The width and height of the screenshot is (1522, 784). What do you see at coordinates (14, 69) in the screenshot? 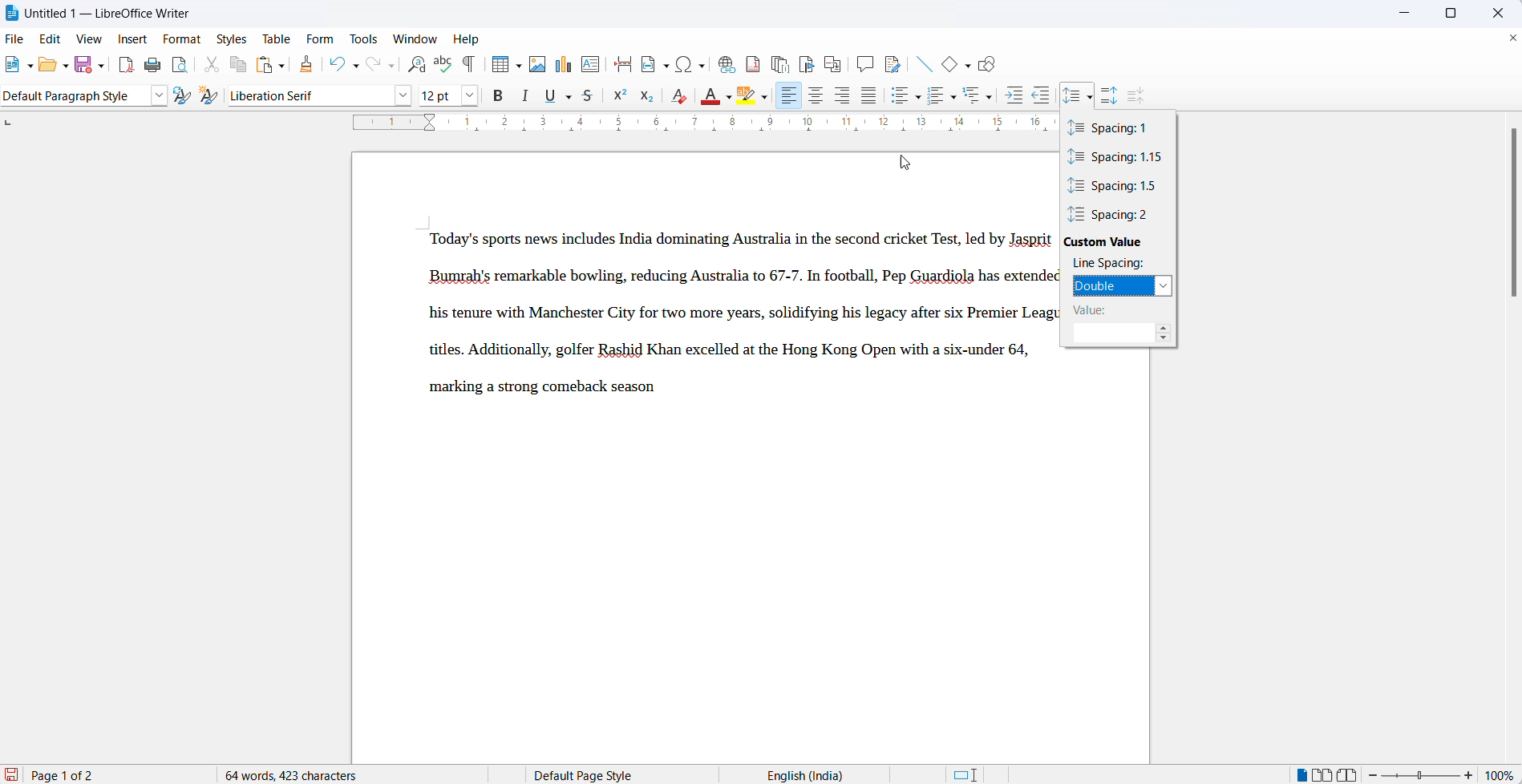
I see `new file` at bounding box center [14, 69].